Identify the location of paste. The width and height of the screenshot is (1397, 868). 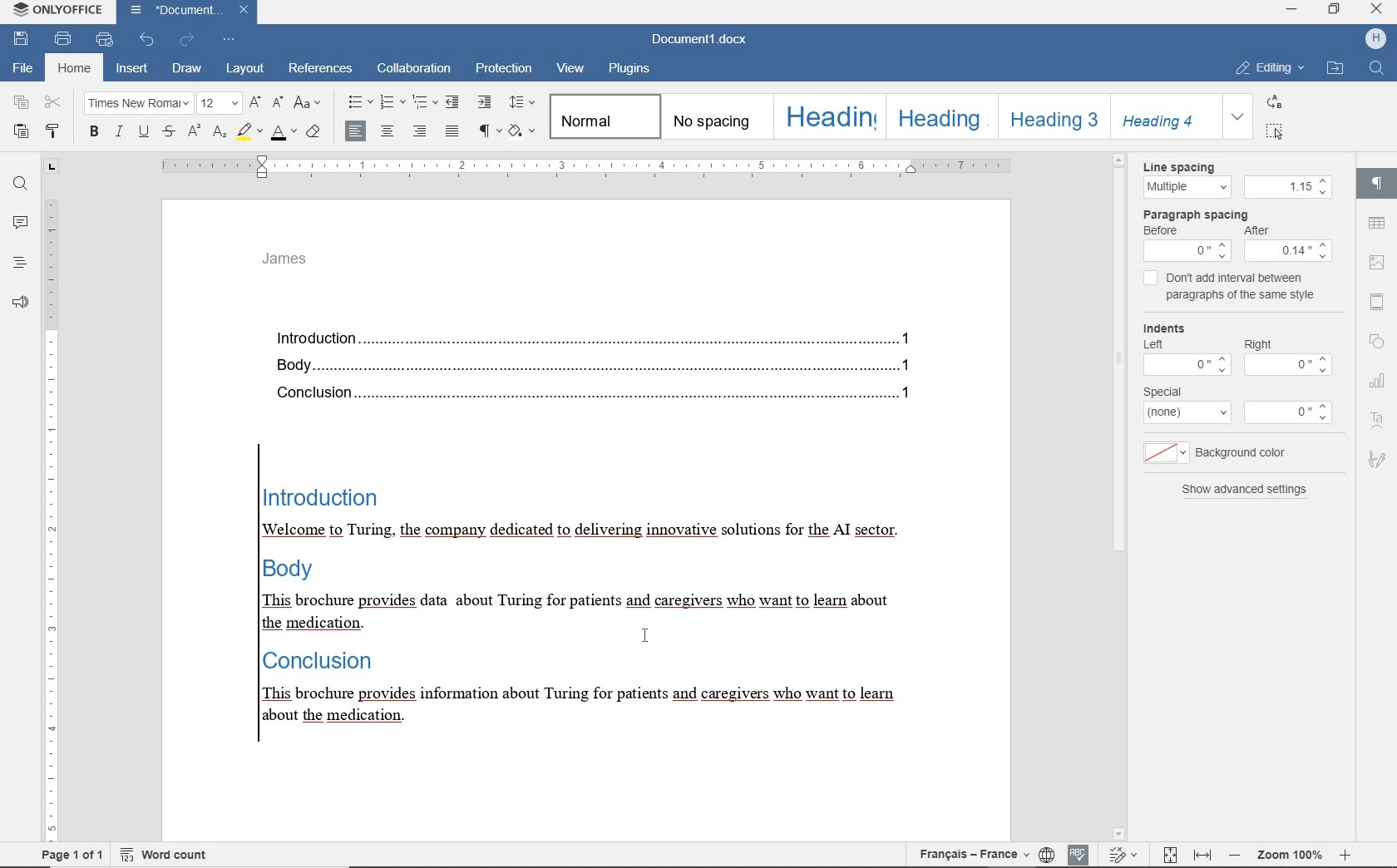
(21, 133).